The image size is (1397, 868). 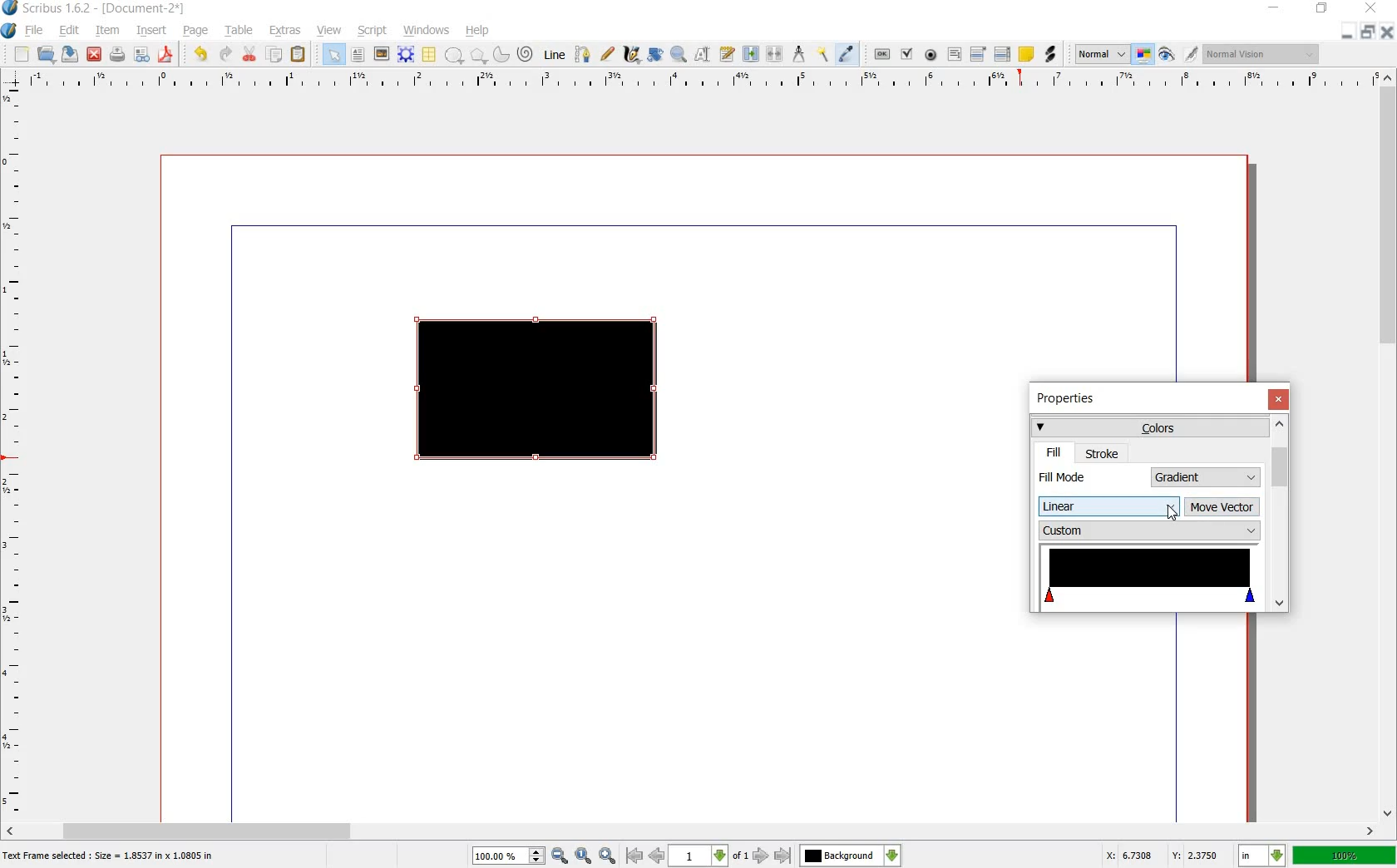 What do you see at coordinates (1054, 452) in the screenshot?
I see `fill` at bounding box center [1054, 452].